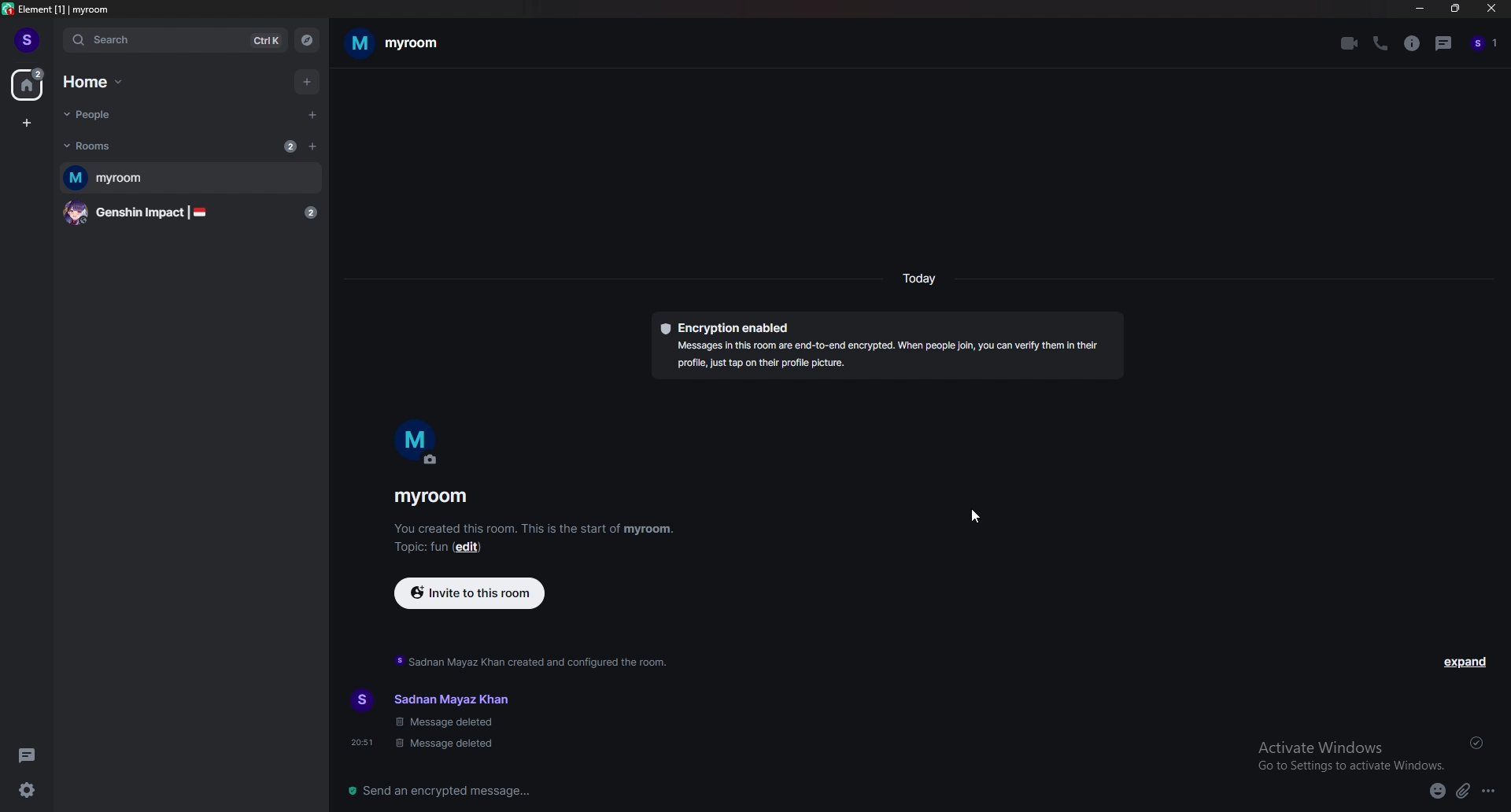  I want to click on send an encrypted message..., so click(470, 792).